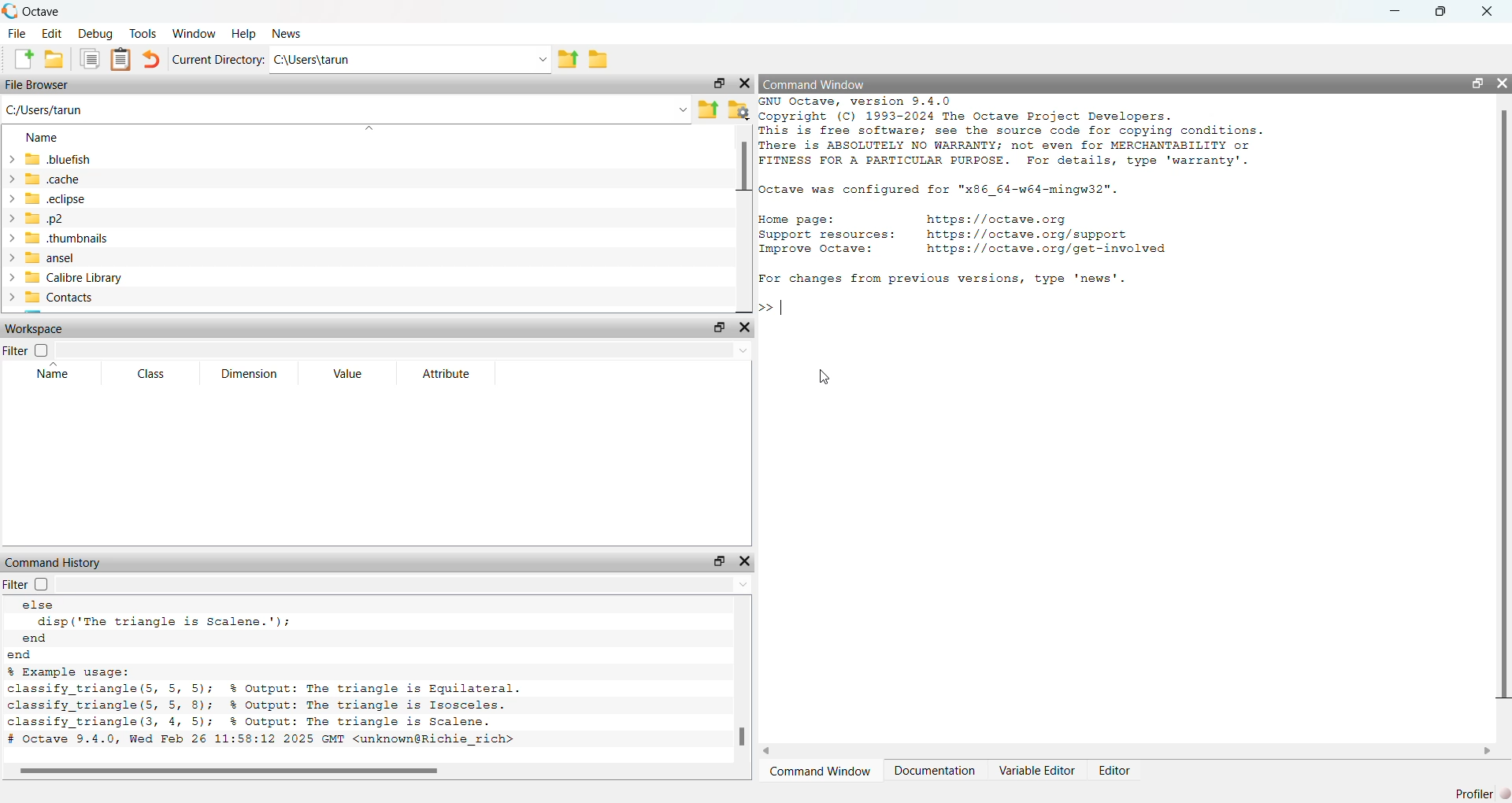  What do you see at coordinates (598, 58) in the screenshot?
I see `browse directories` at bounding box center [598, 58].